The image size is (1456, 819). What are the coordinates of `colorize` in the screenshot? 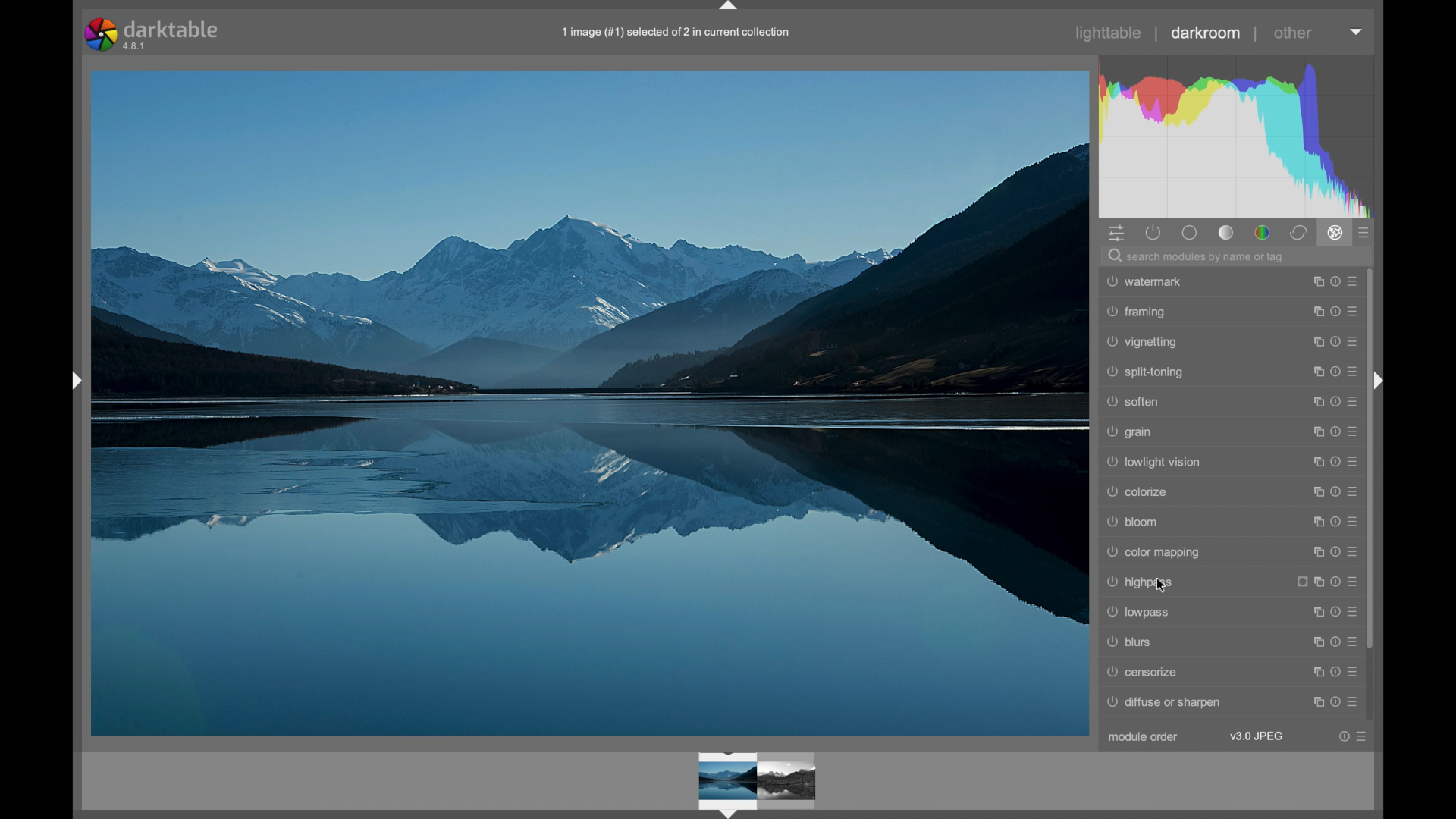 It's located at (1137, 491).